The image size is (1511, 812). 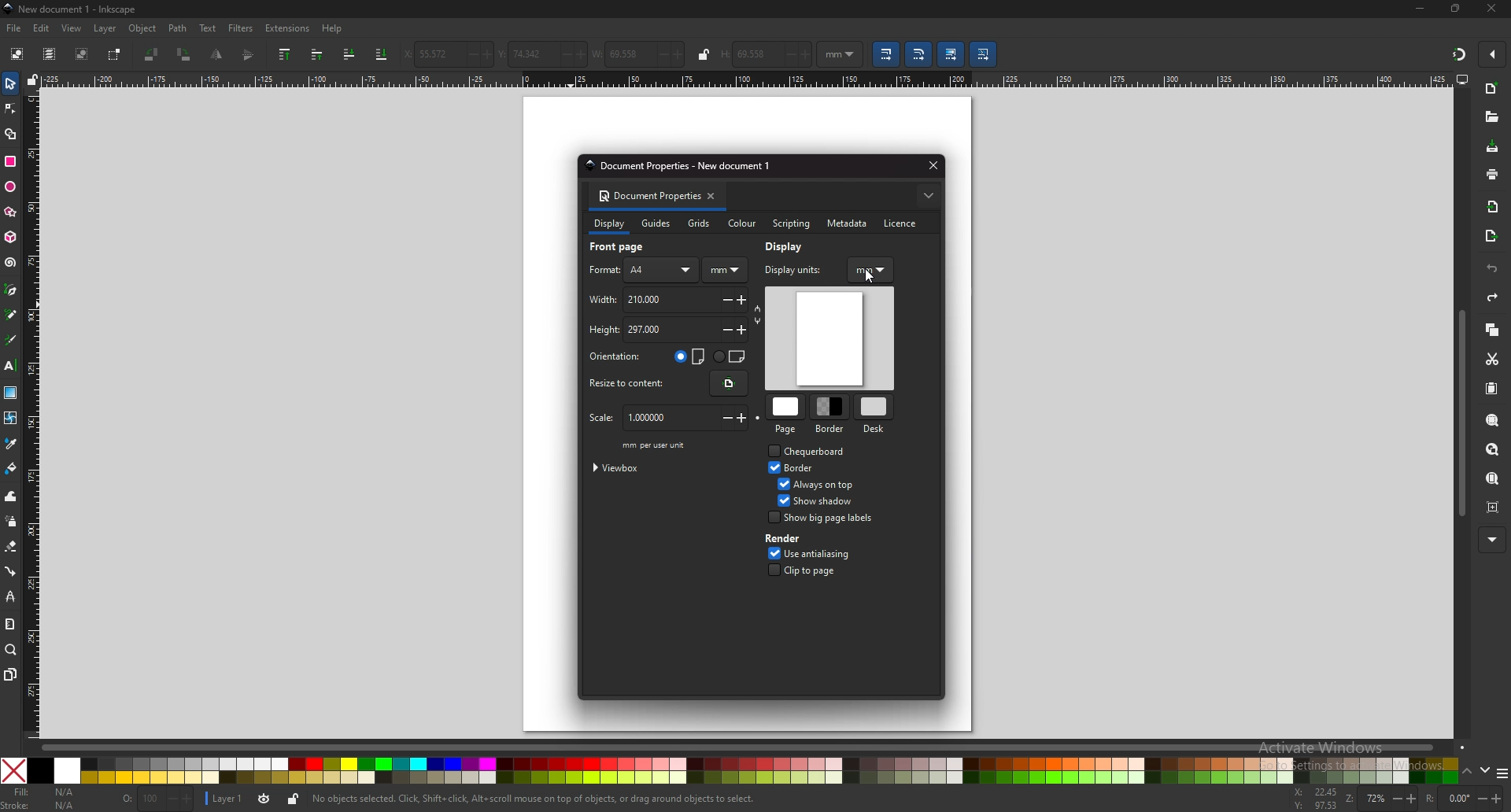 I want to click on mesh, so click(x=11, y=416).